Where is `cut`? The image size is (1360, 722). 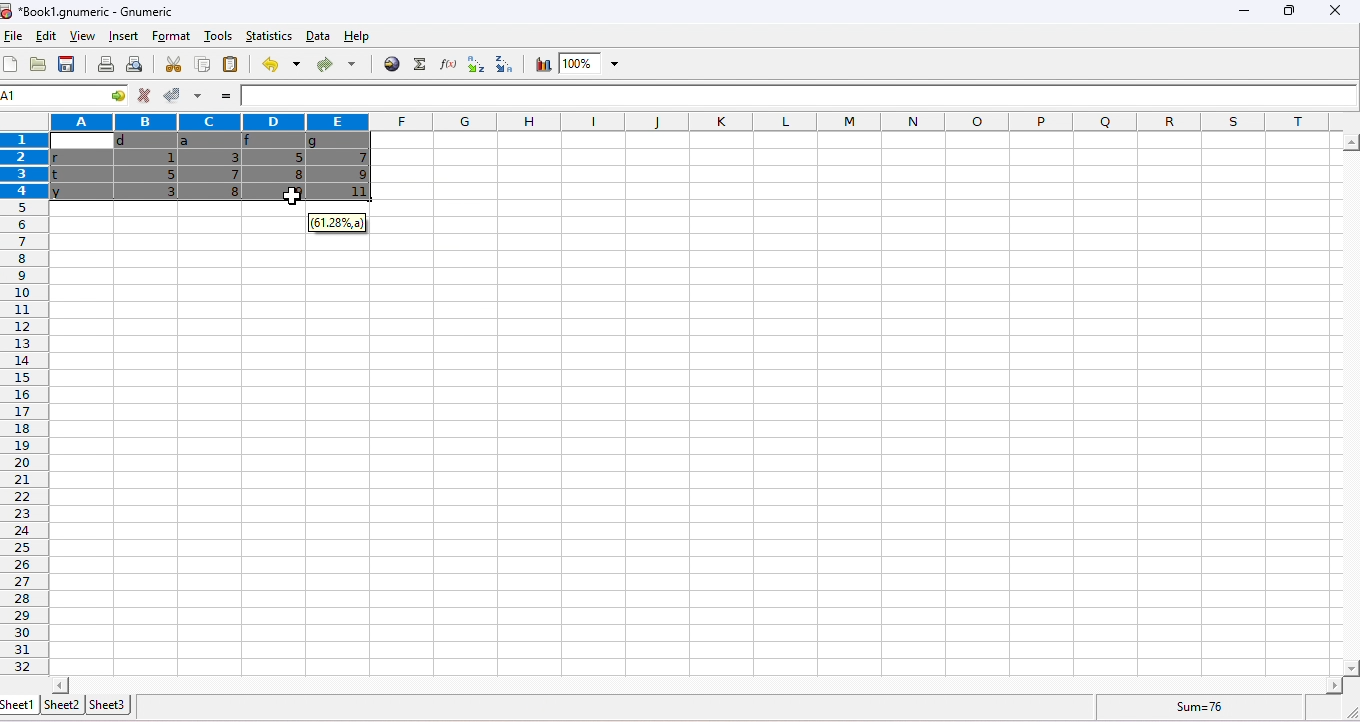 cut is located at coordinates (174, 64).